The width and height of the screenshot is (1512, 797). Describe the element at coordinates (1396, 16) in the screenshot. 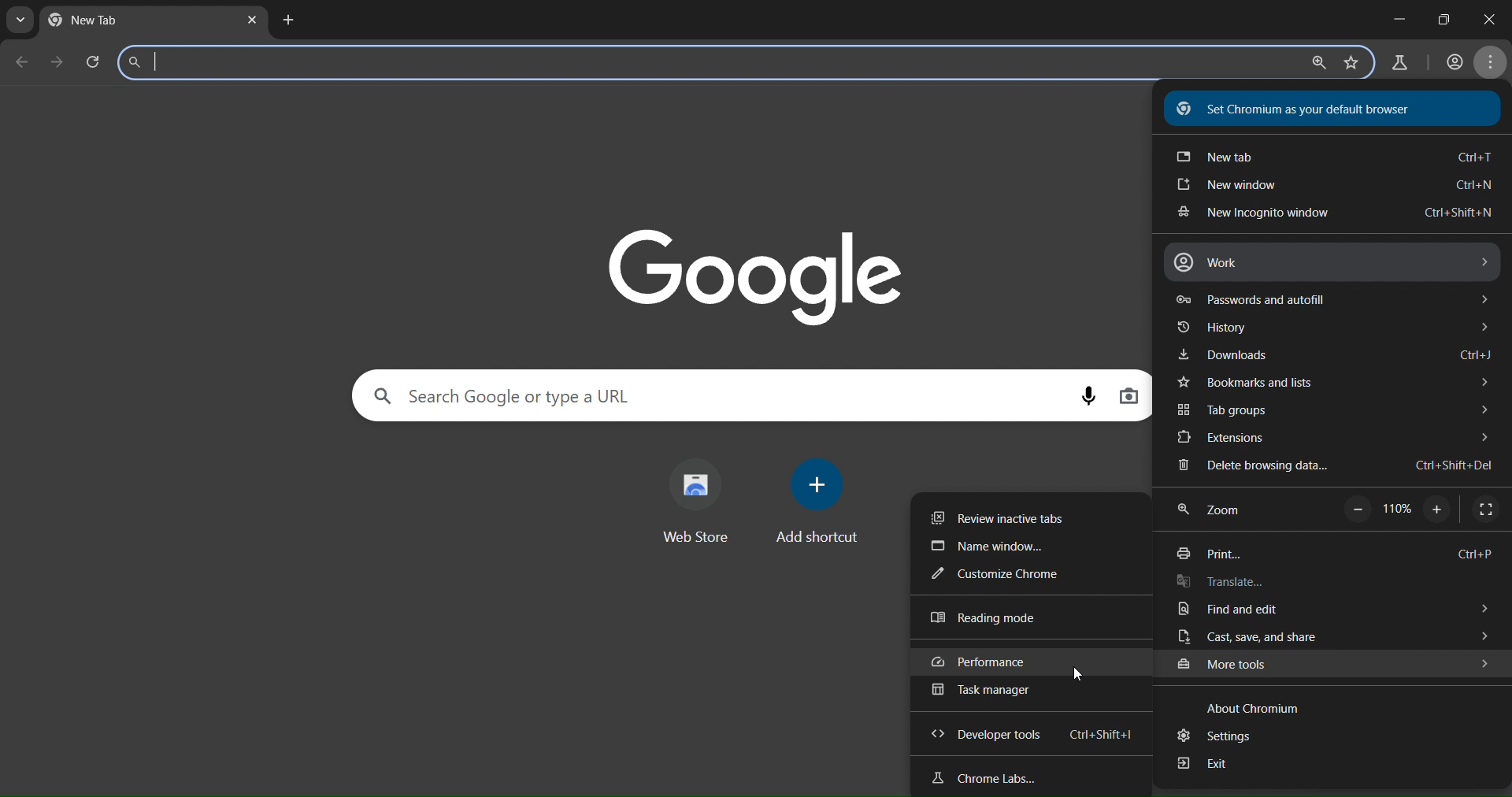

I see `minimize` at that location.